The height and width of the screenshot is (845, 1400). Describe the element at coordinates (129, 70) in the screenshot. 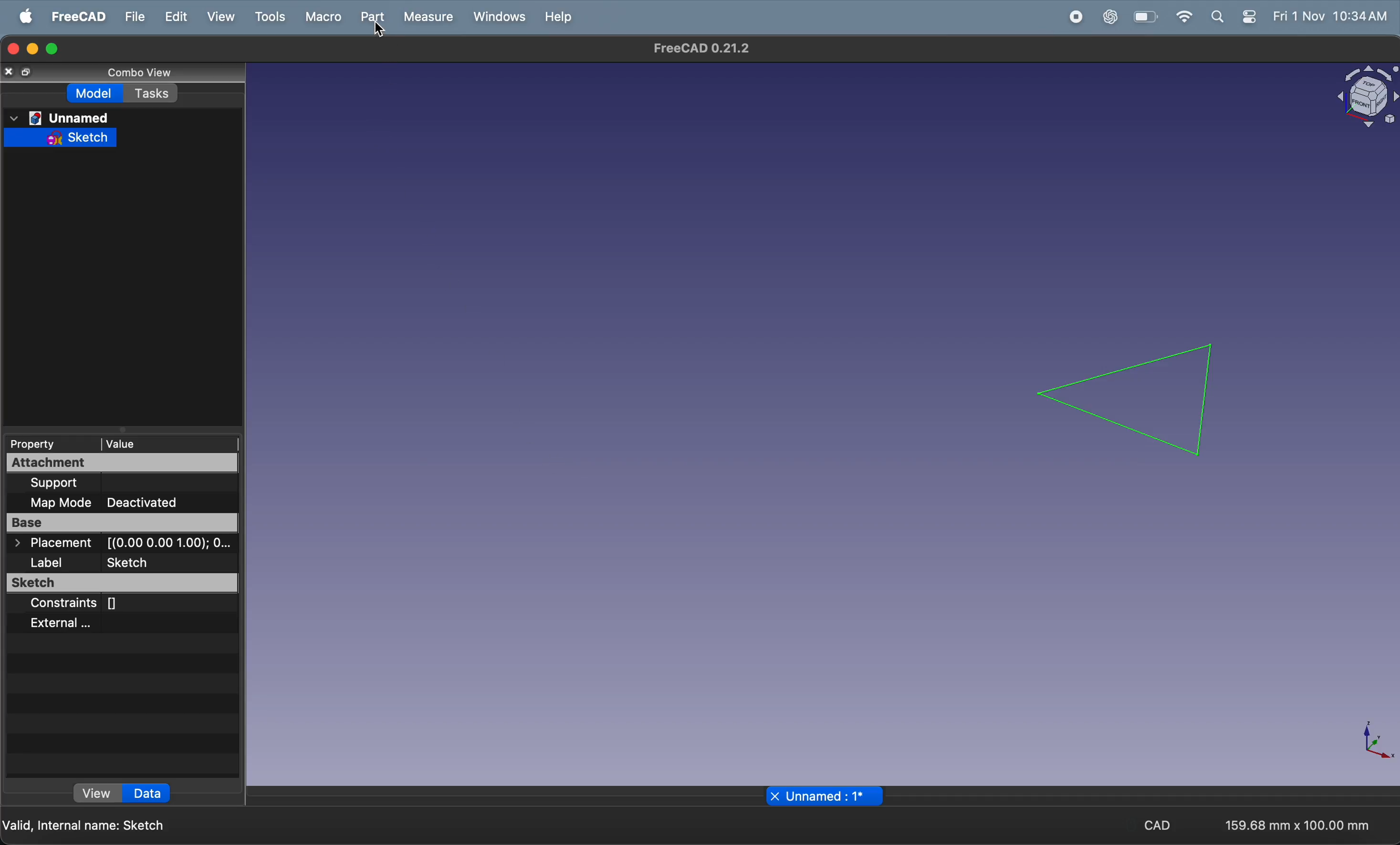

I see `combo view` at that location.